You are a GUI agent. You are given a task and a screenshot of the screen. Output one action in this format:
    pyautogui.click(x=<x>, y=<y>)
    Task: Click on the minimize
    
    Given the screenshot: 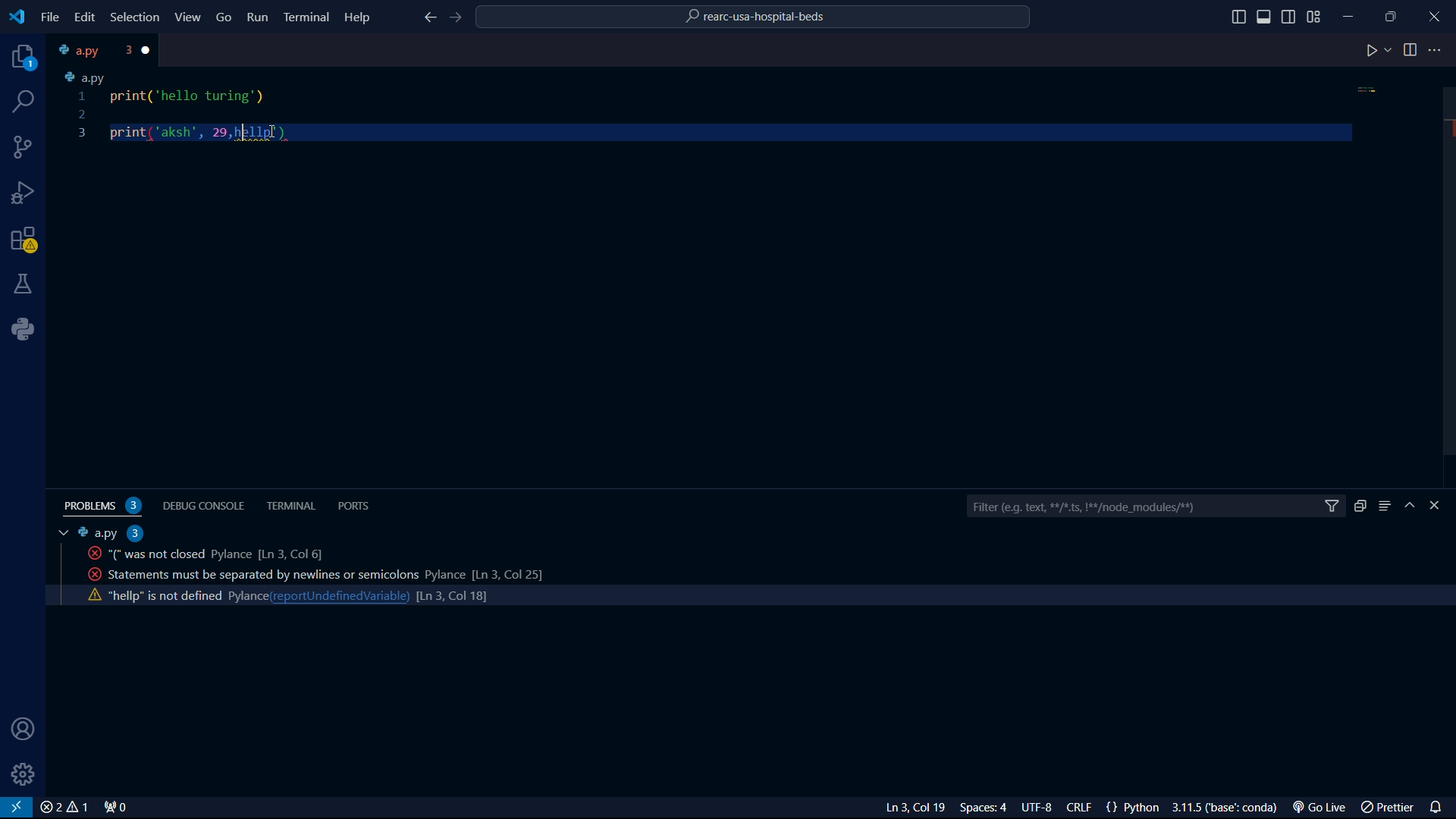 What is the action you would take?
    pyautogui.click(x=1353, y=13)
    